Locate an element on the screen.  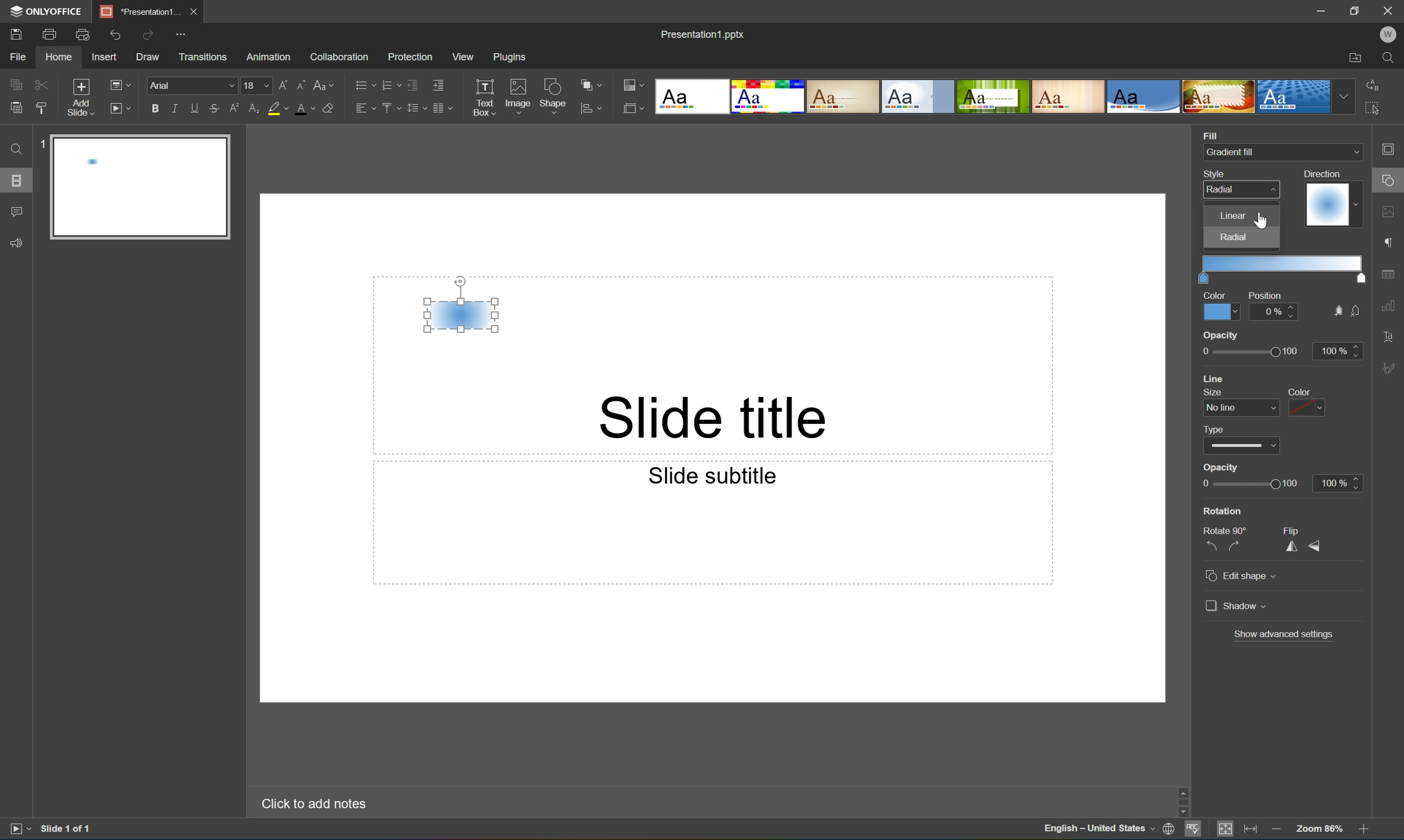
Click to add notes is located at coordinates (311, 802).